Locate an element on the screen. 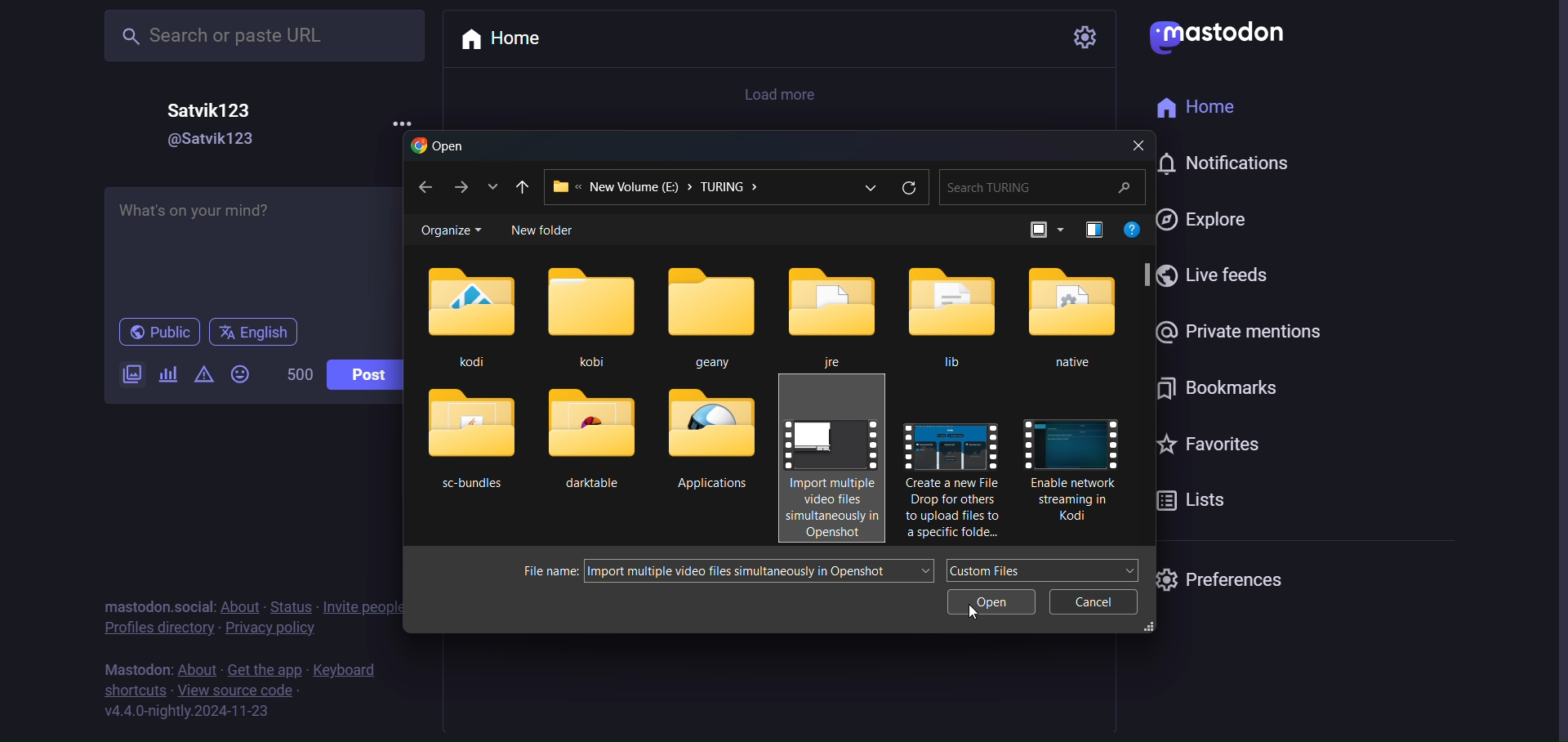  view is located at coordinates (1041, 230).